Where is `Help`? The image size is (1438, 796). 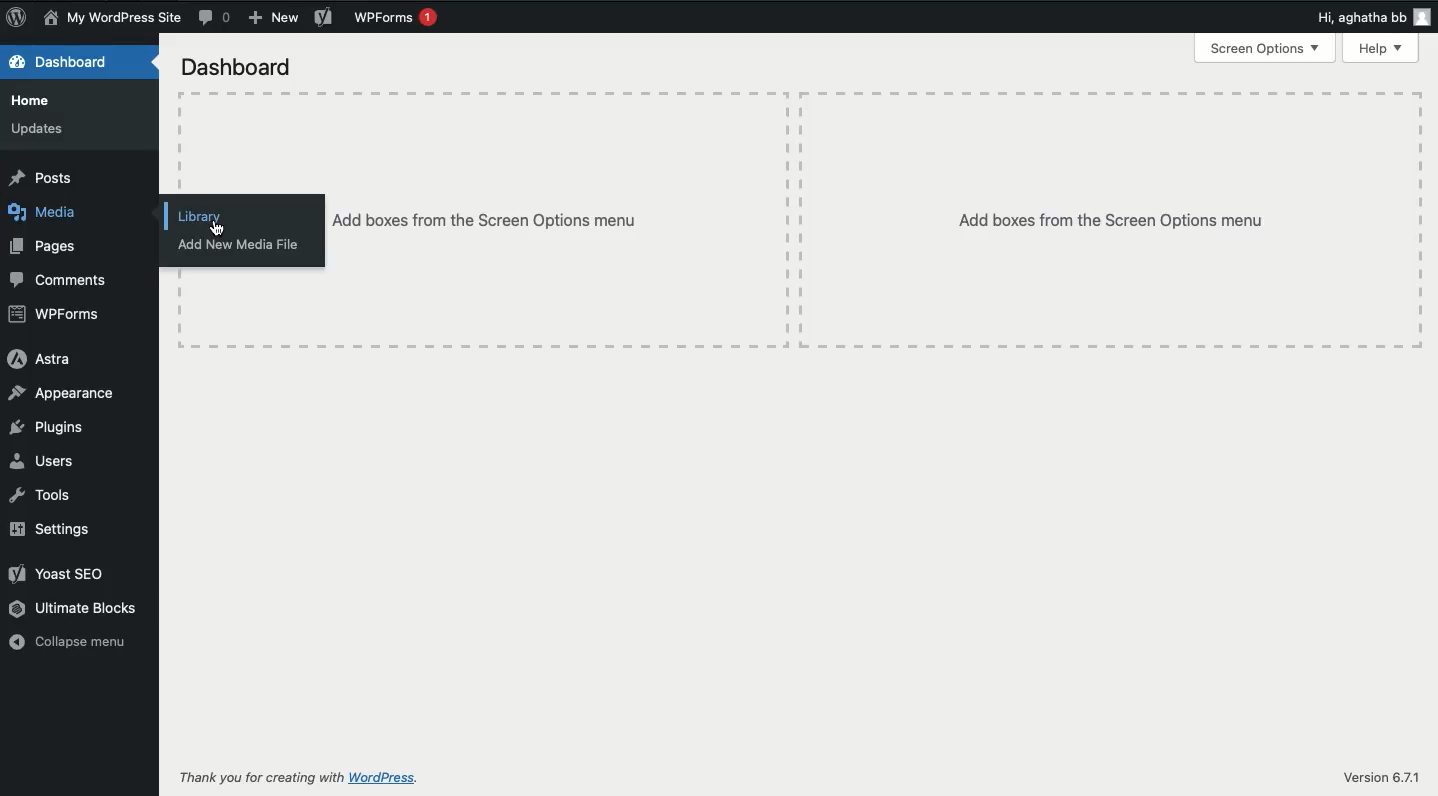
Help is located at coordinates (1382, 48).